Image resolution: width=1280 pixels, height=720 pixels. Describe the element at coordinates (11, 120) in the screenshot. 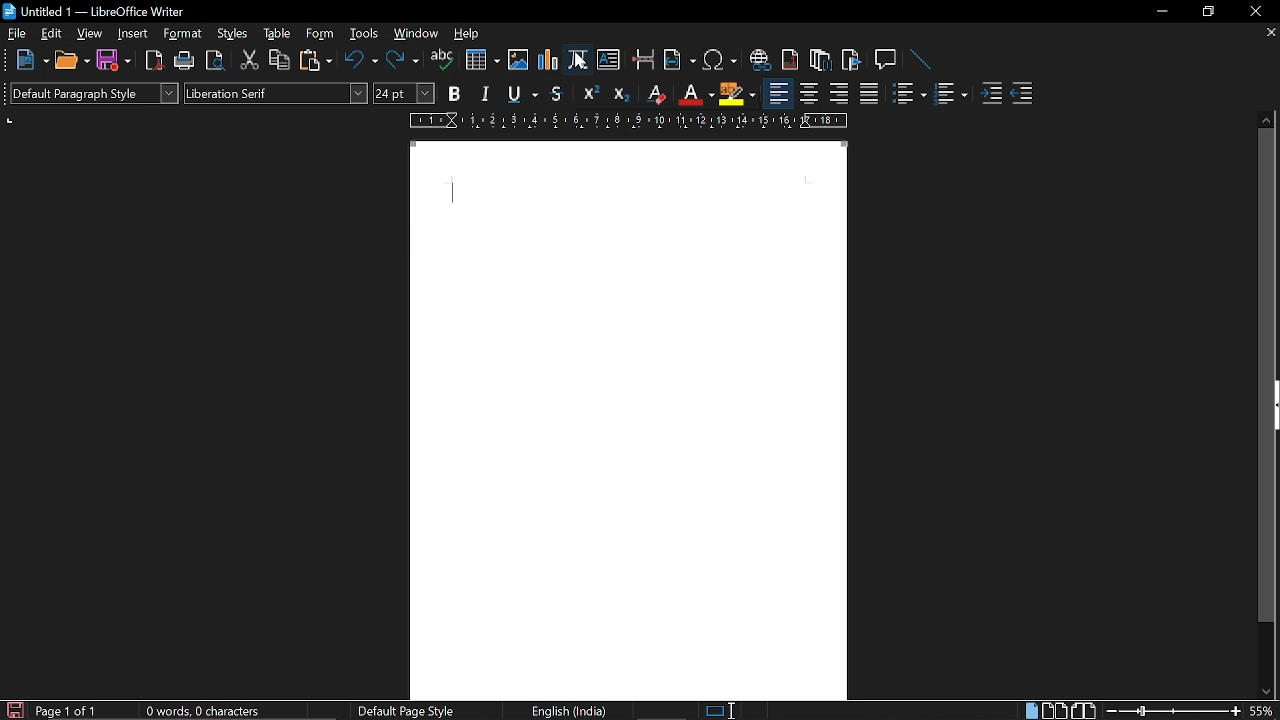

I see `column options` at that location.